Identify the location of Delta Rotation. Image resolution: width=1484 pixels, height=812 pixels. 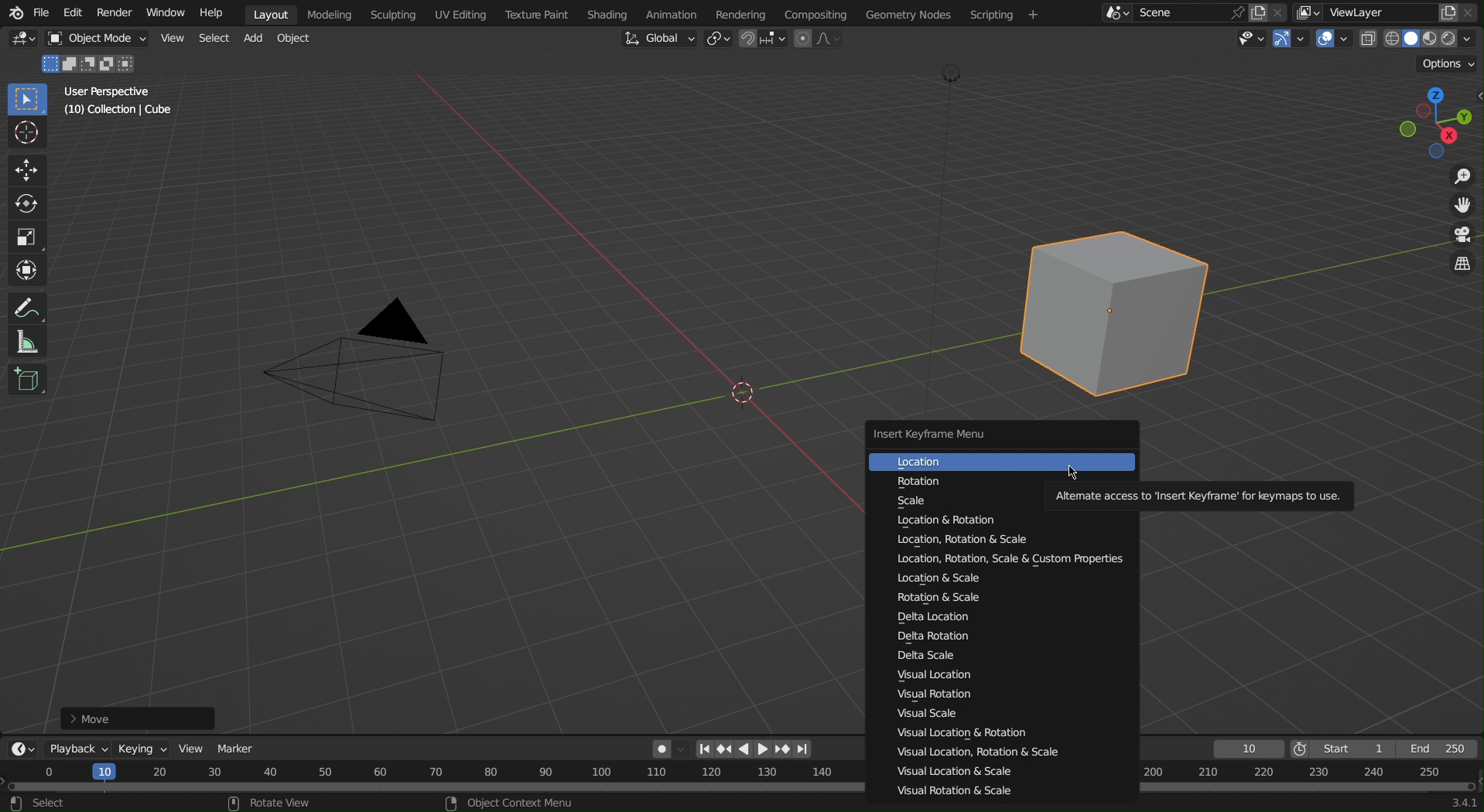
(942, 639).